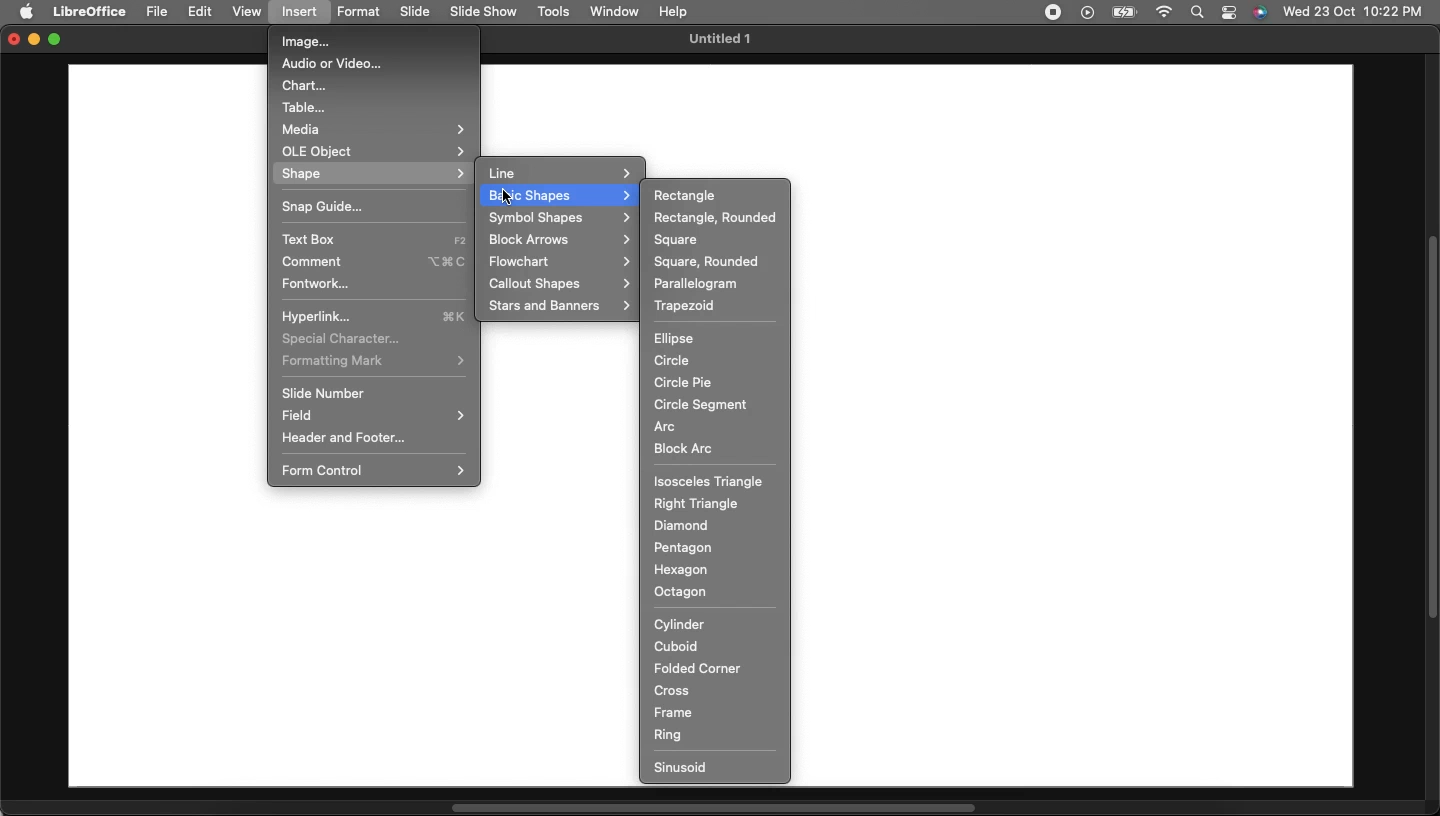 The image size is (1440, 816). What do you see at coordinates (715, 219) in the screenshot?
I see `Rectangle rounded` at bounding box center [715, 219].